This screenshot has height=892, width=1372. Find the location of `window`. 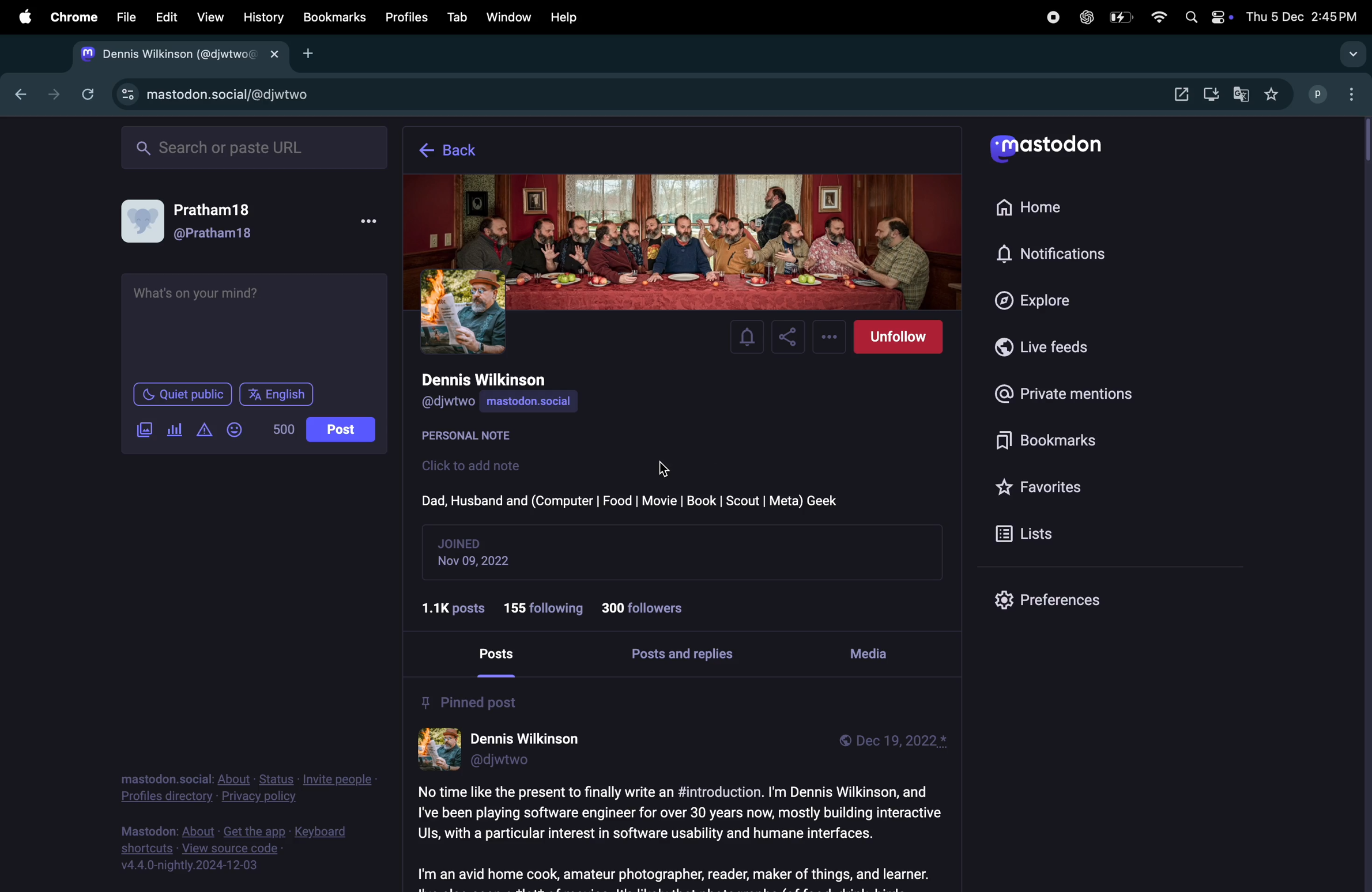

window is located at coordinates (510, 16).